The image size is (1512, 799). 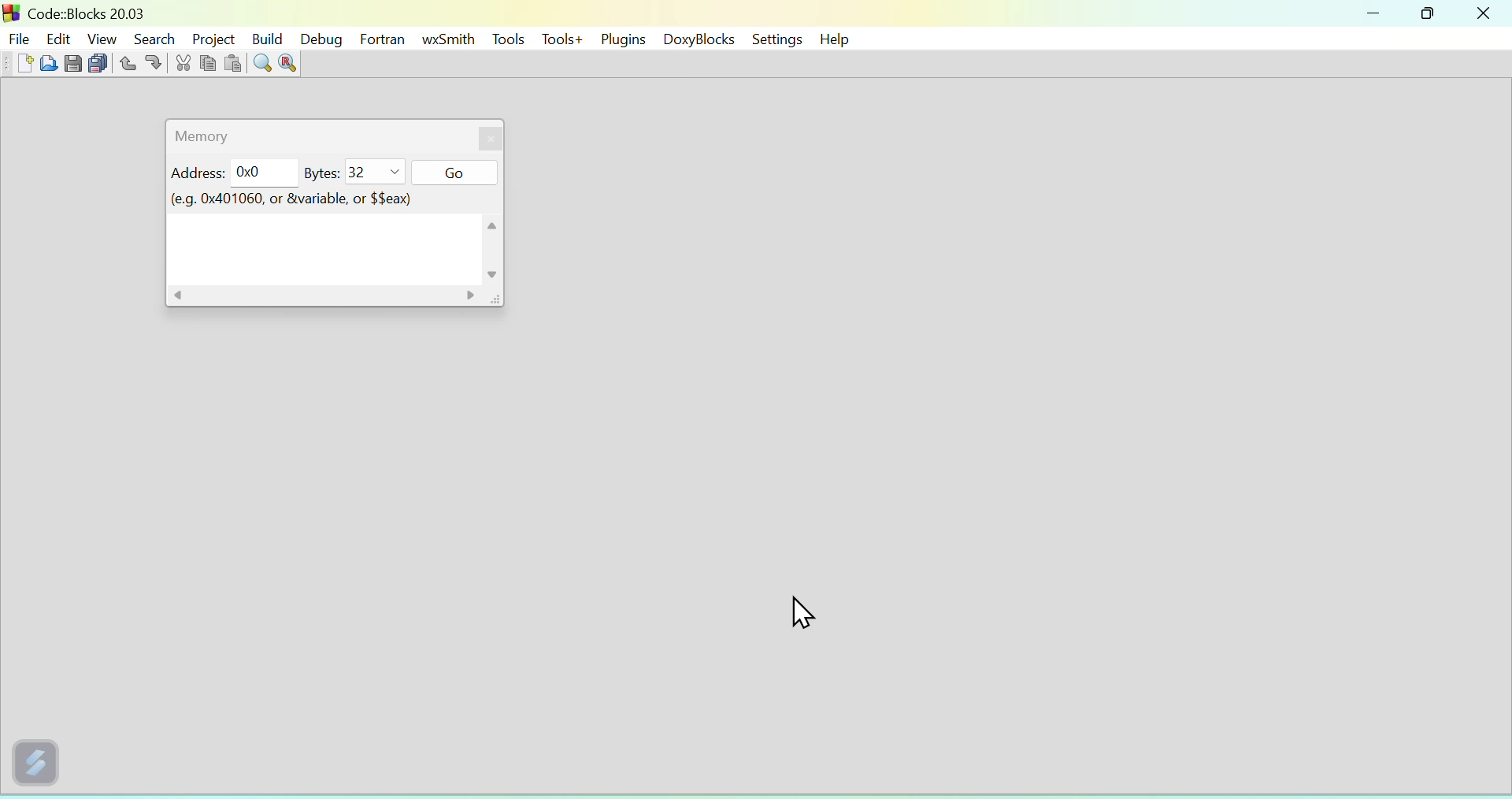 I want to click on 0x0, so click(x=264, y=174).